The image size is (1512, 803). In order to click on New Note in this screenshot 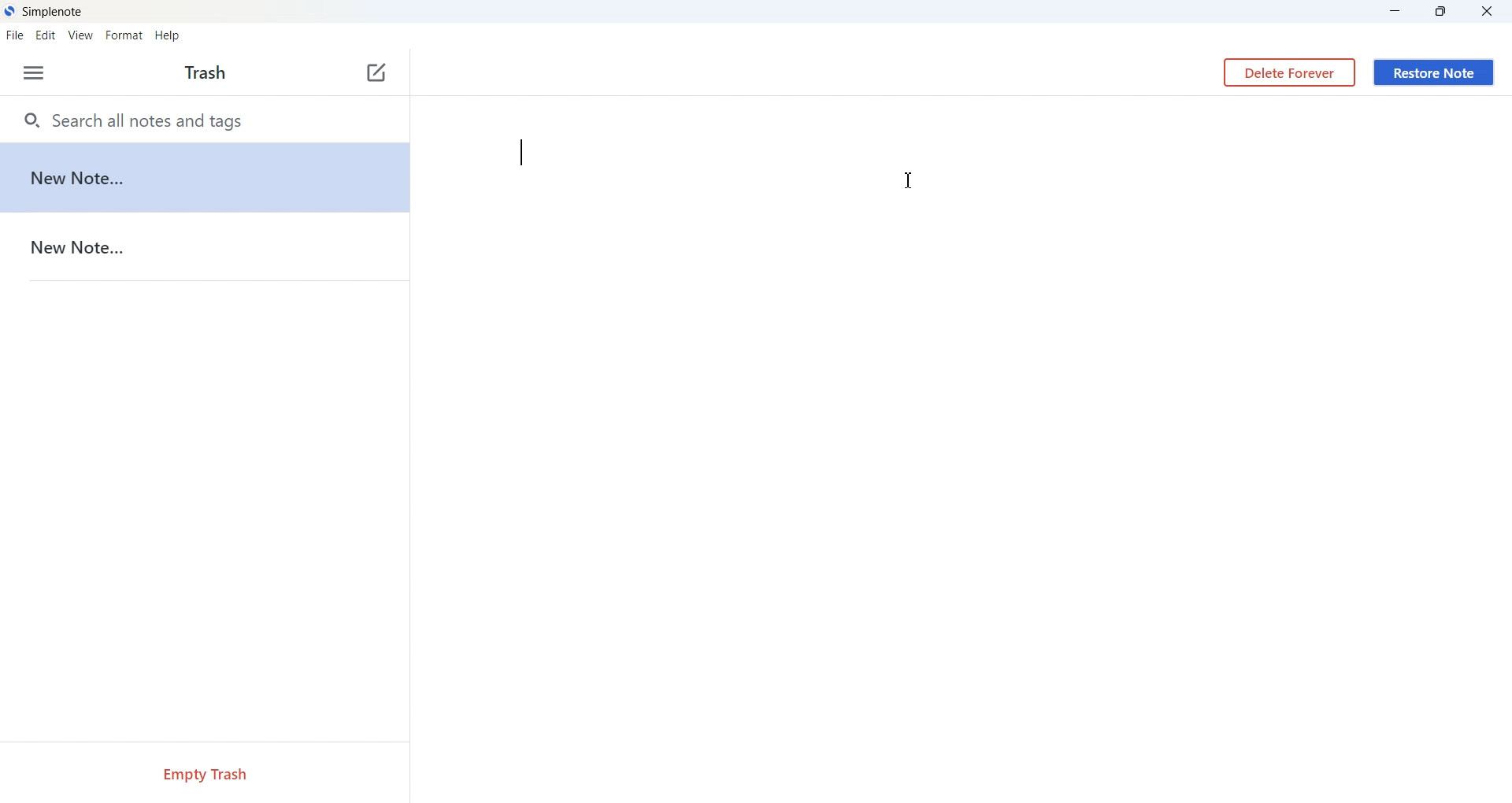, I will do `click(204, 247)`.